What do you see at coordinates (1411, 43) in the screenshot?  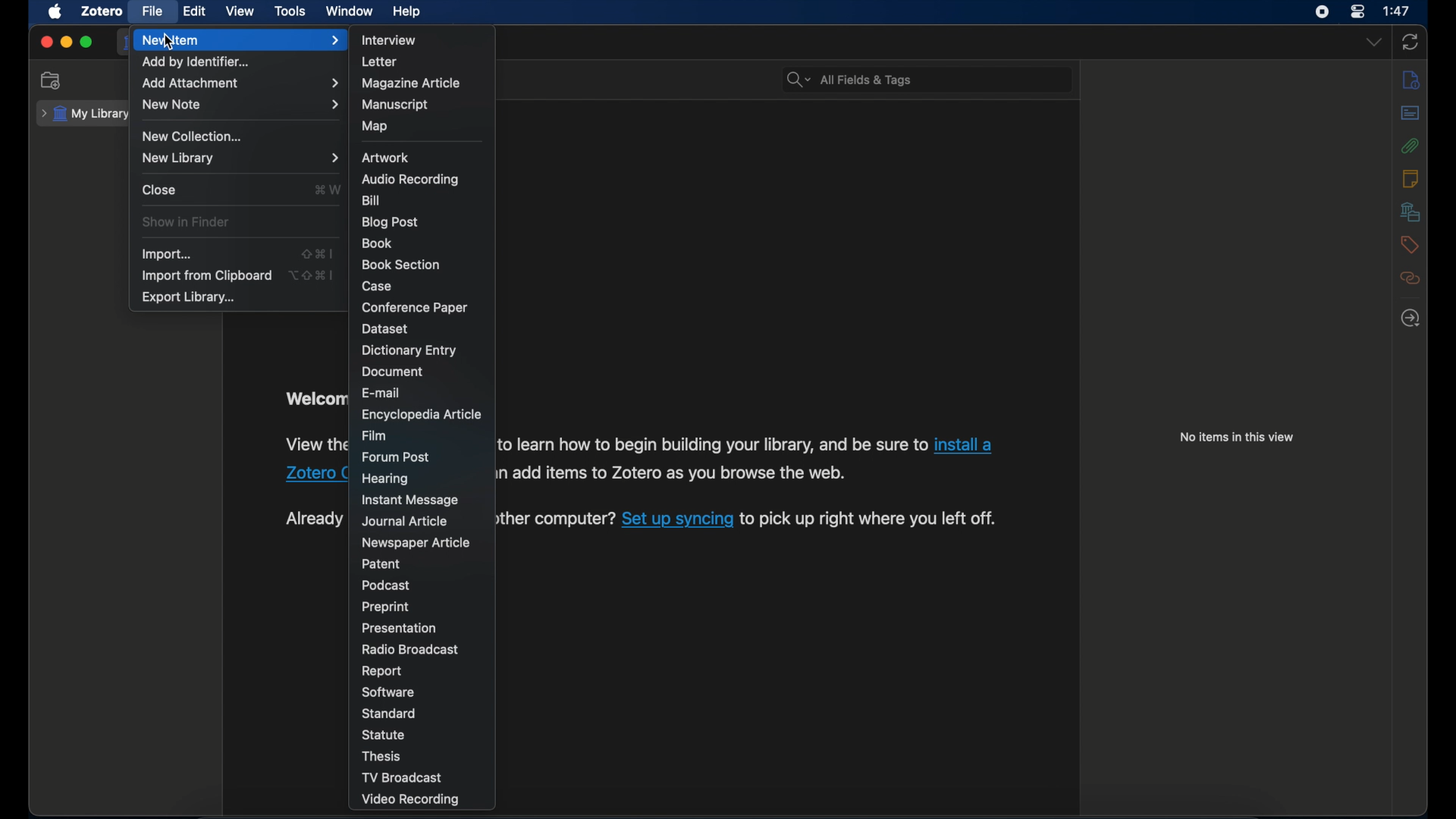 I see `sync` at bounding box center [1411, 43].